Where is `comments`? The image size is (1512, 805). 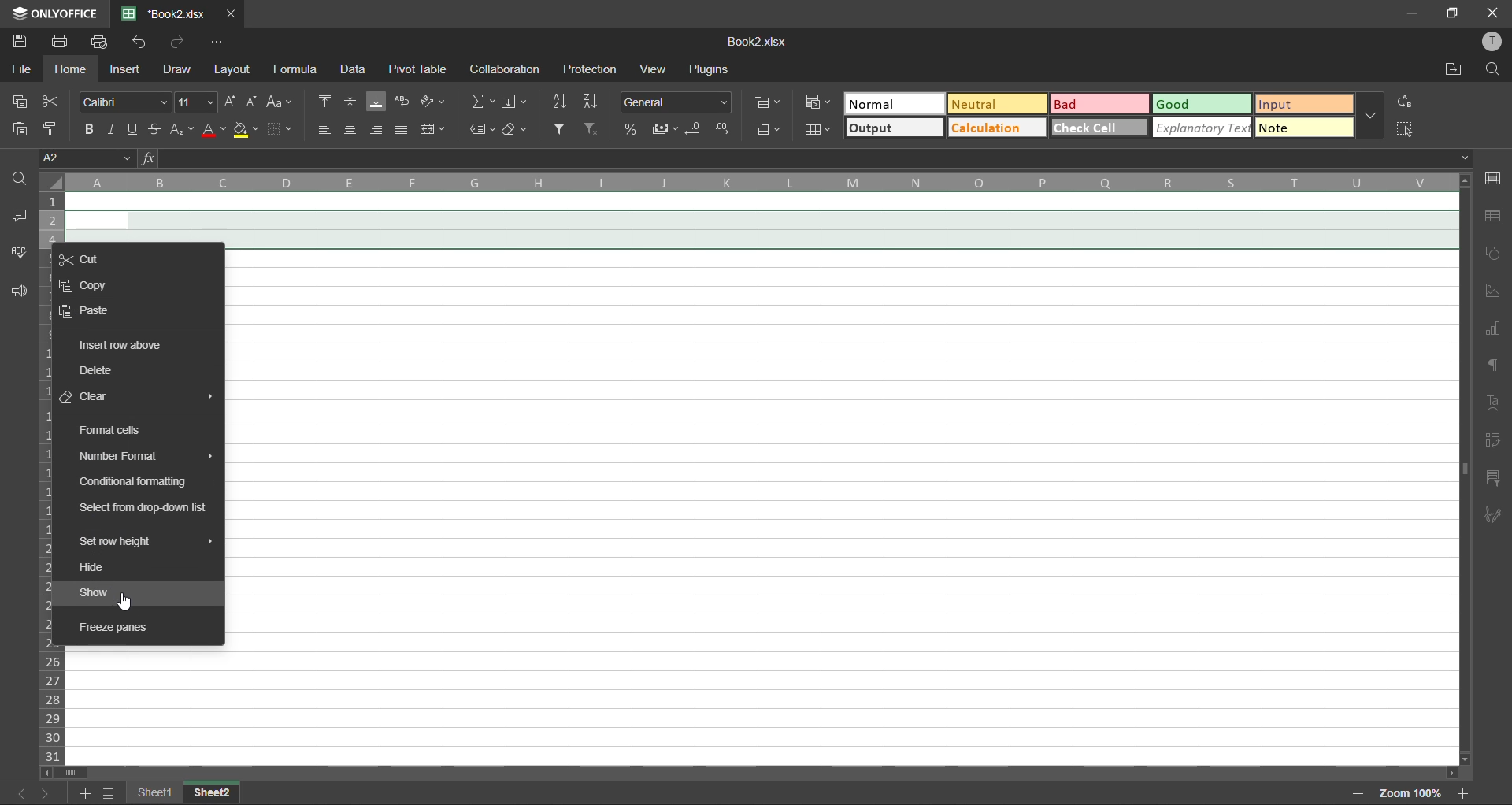
comments is located at coordinates (22, 218).